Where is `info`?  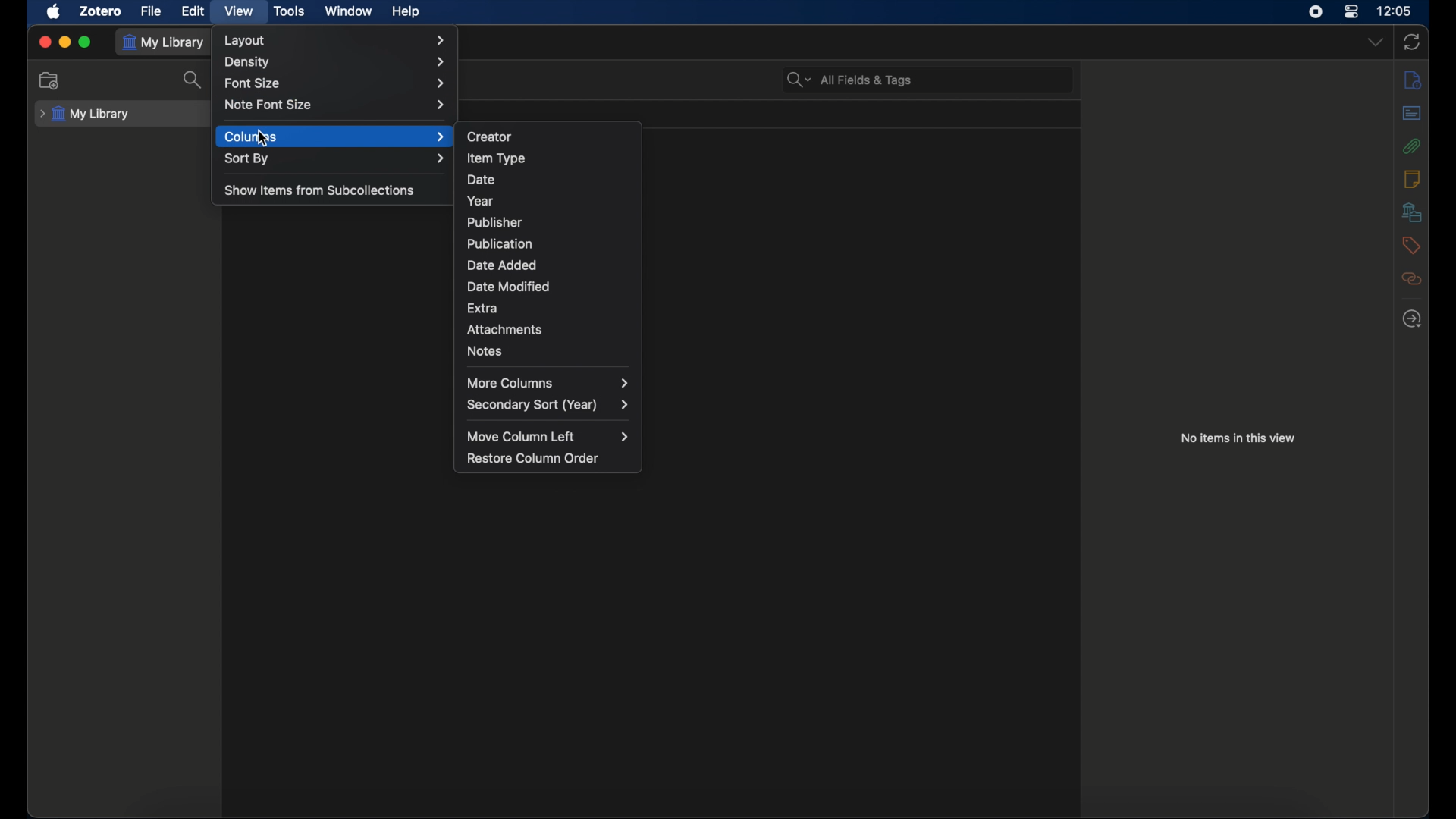 info is located at coordinates (1412, 80).